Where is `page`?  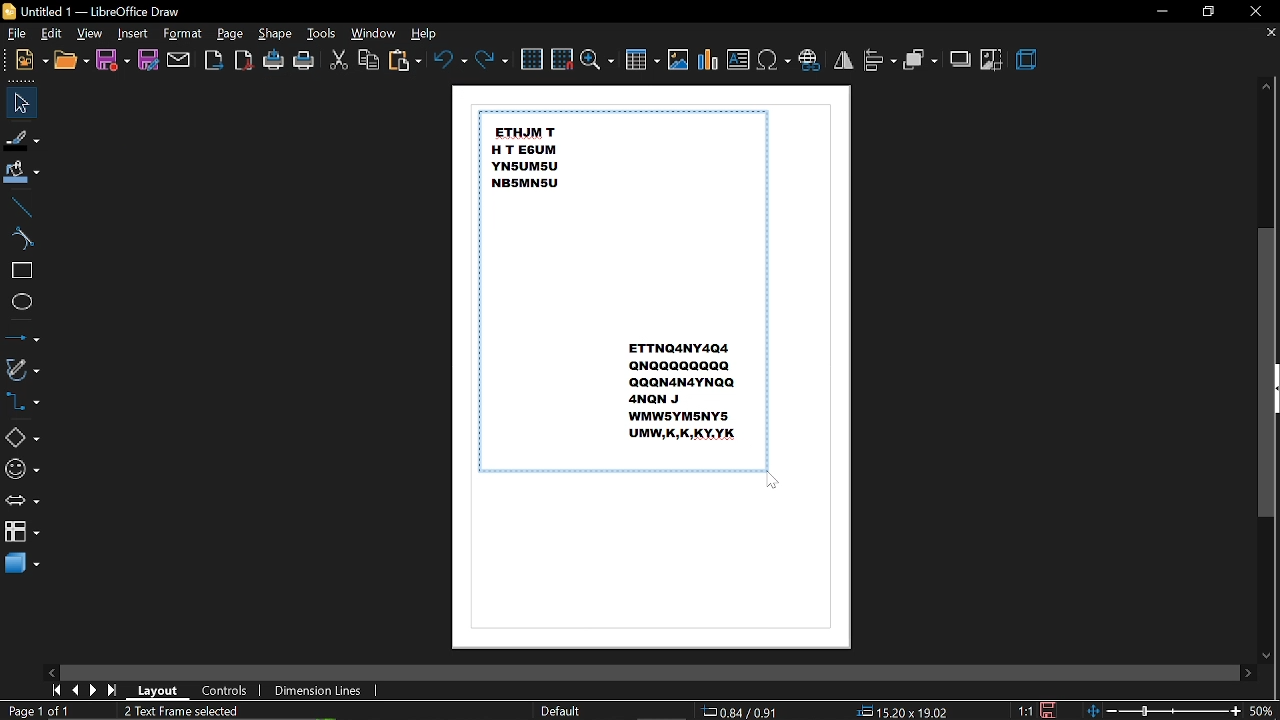
page is located at coordinates (230, 33).